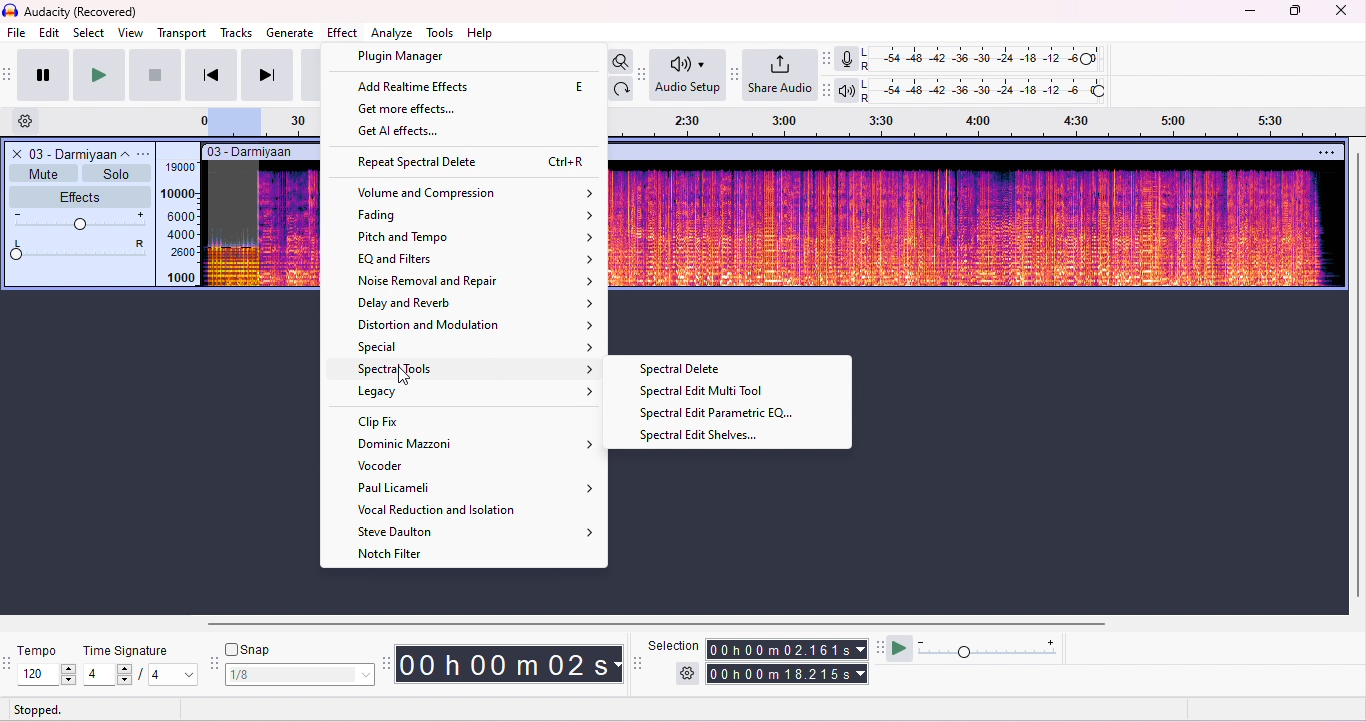  I want to click on special, so click(477, 348).